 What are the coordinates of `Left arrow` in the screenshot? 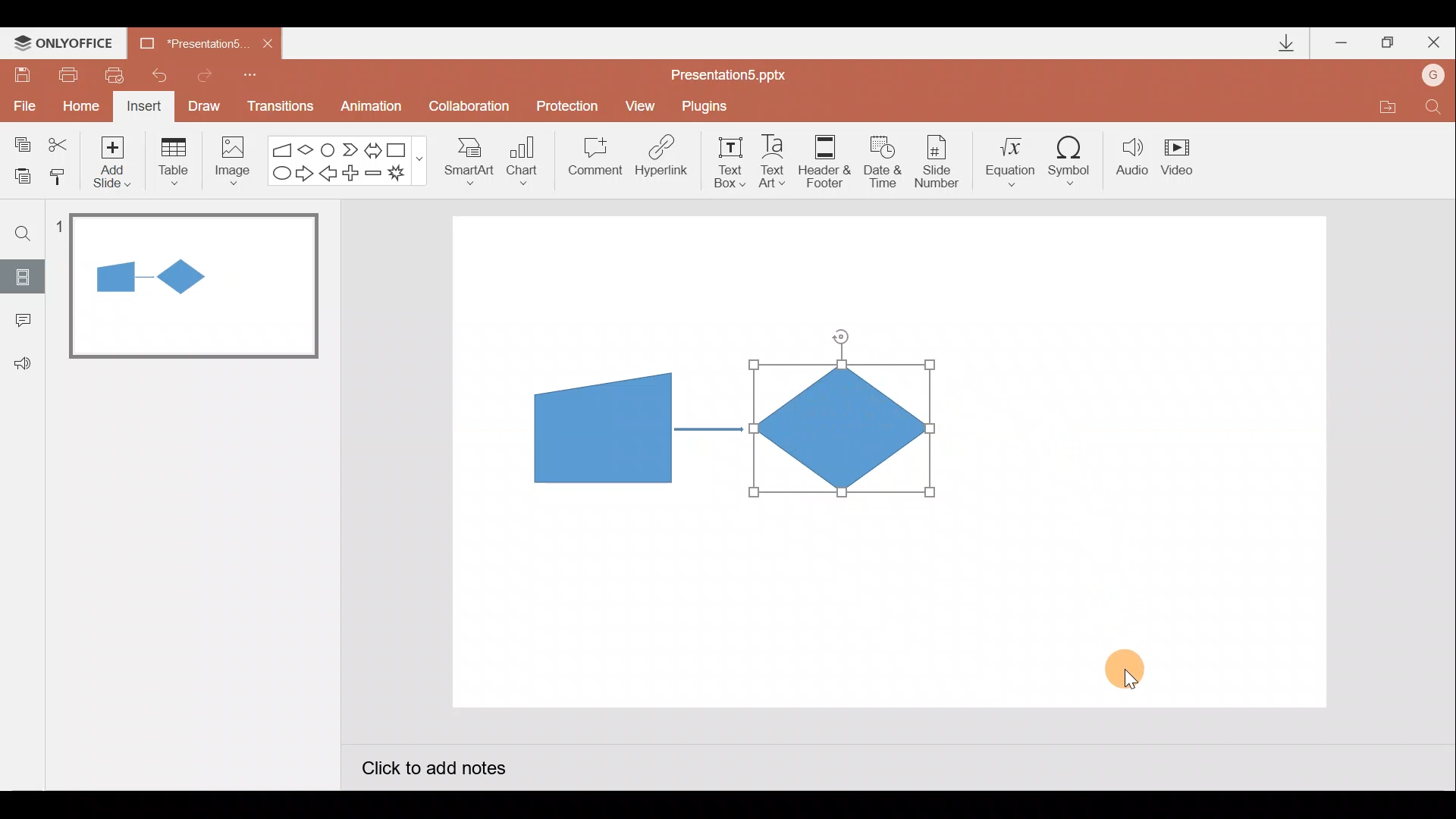 It's located at (329, 175).